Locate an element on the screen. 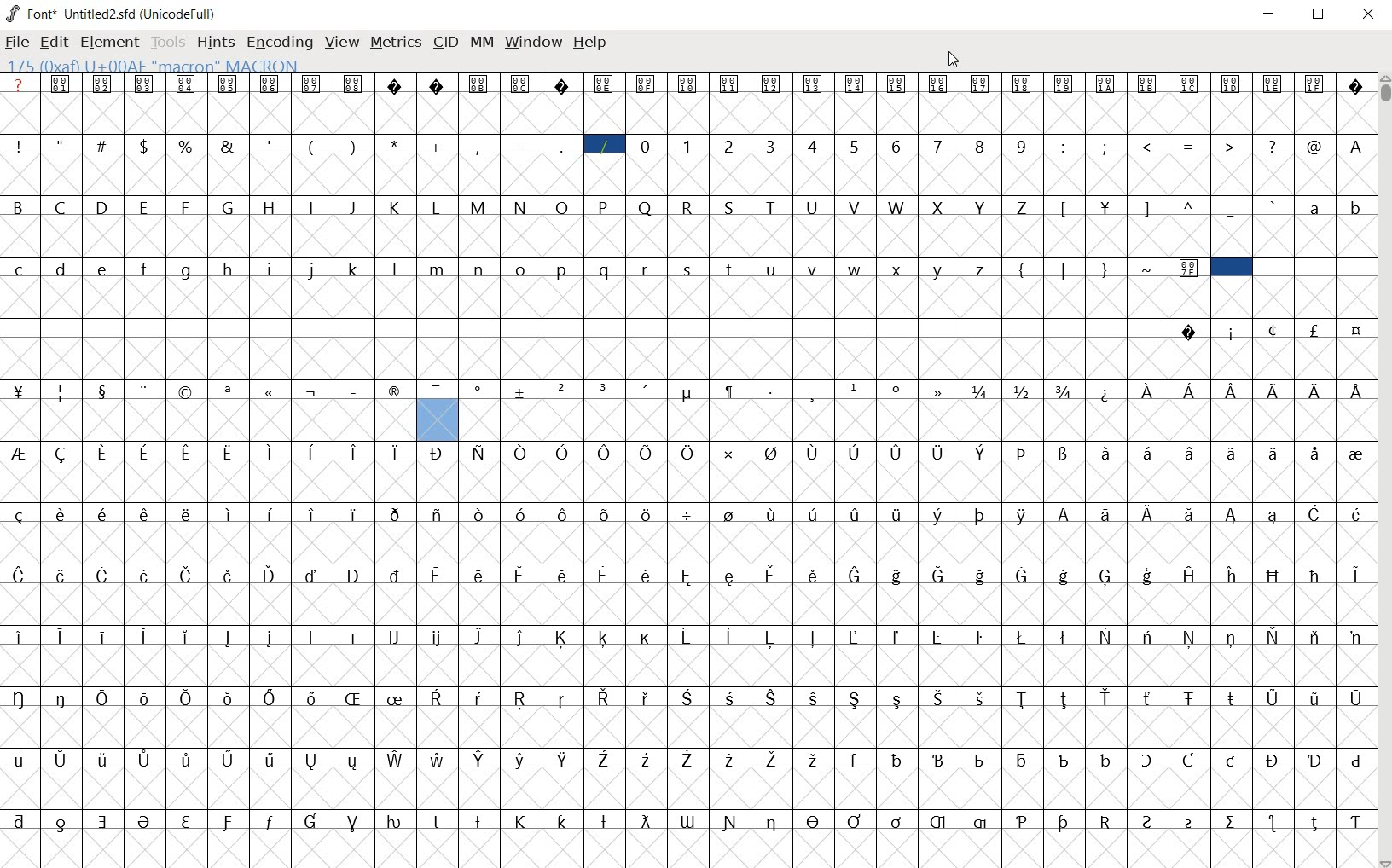 The image size is (1392, 868). cid is located at coordinates (445, 43).